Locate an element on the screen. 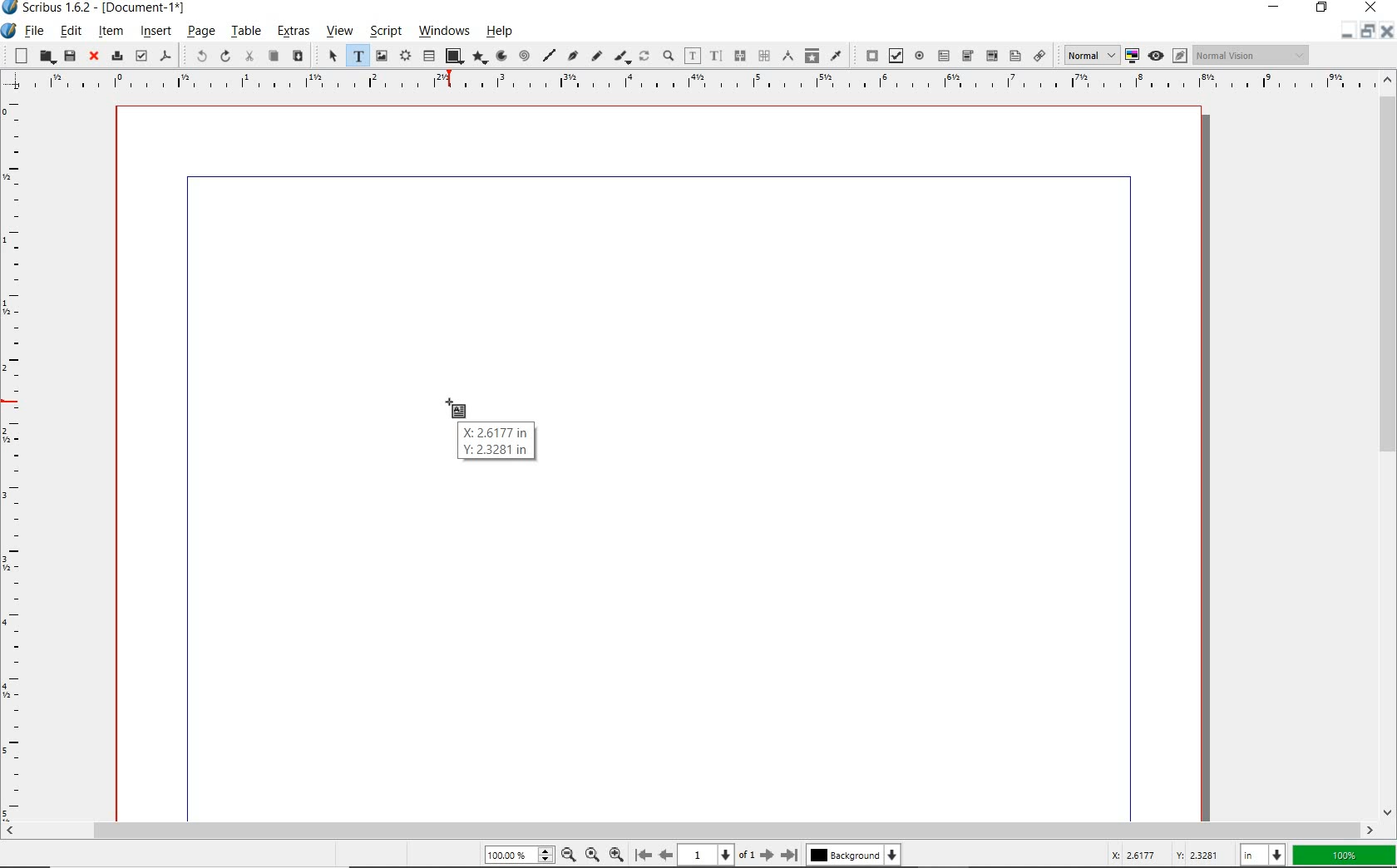 The width and height of the screenshot is (1397, 868). save is located at coordinates (68, 56).